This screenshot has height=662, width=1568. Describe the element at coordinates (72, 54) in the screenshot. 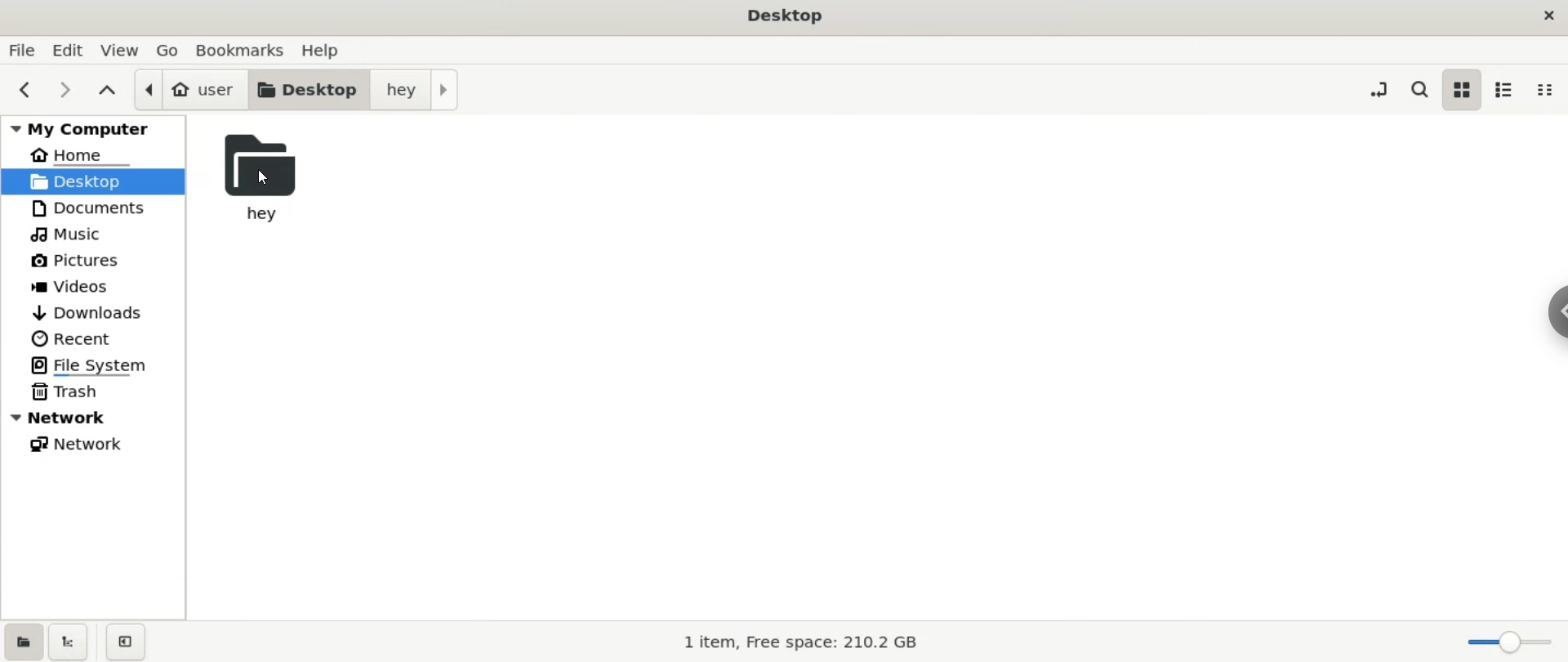

I see `edit` at that location.